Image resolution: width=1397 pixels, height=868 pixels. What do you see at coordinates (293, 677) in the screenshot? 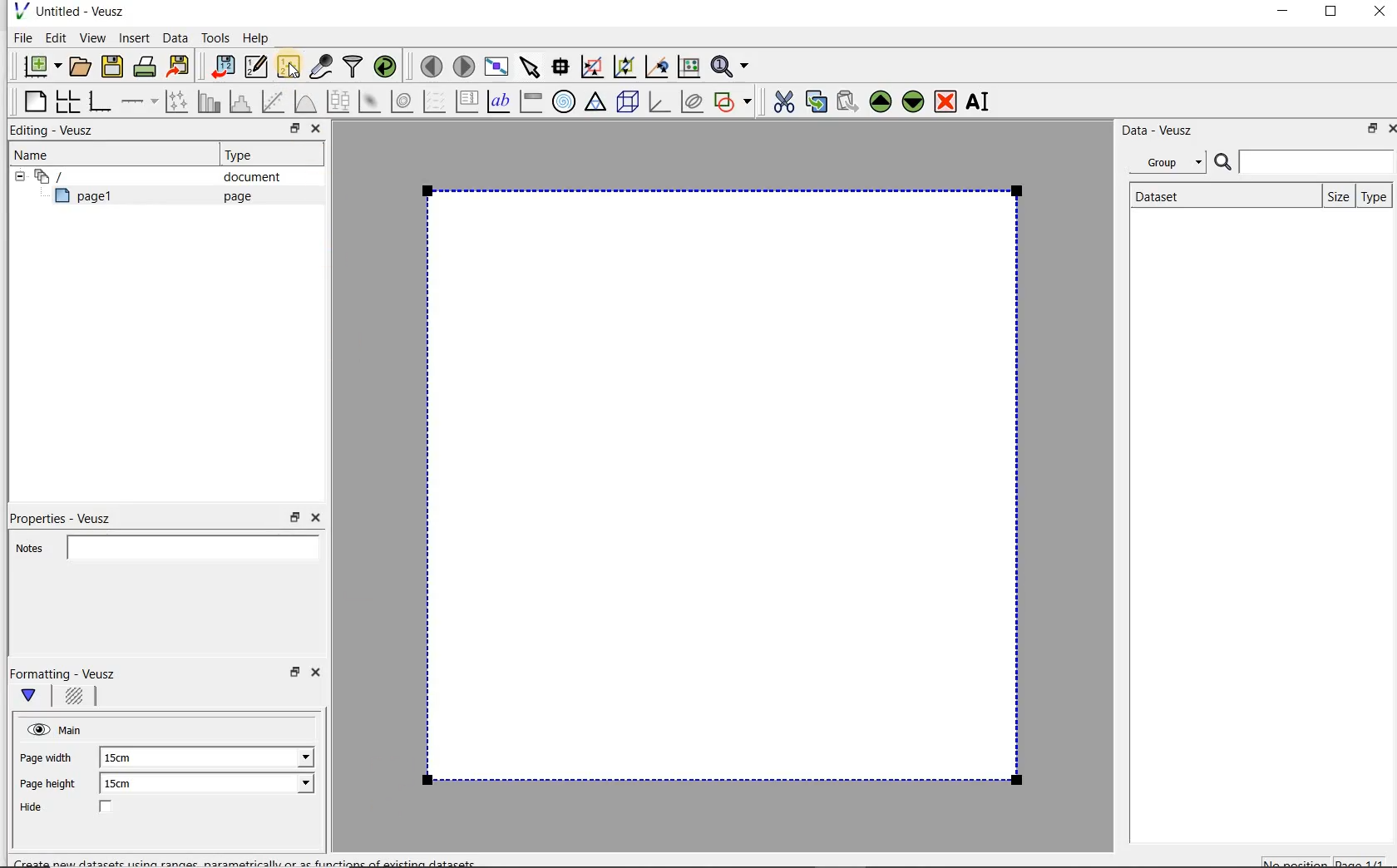
I see `restore down` at bounding box center [293, 677].